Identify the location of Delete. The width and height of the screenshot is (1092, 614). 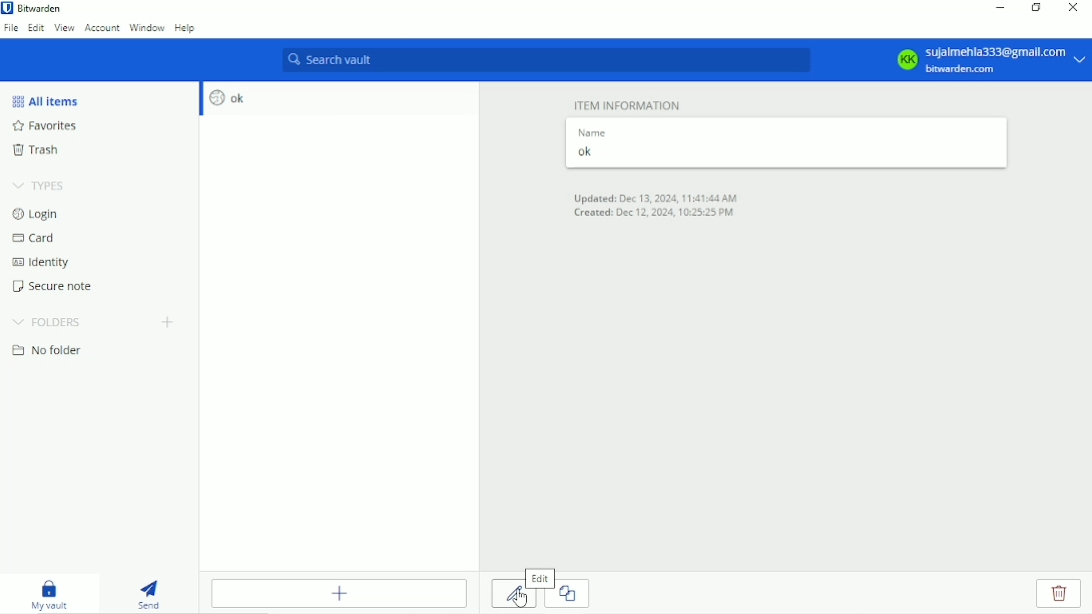
(1058, 593).